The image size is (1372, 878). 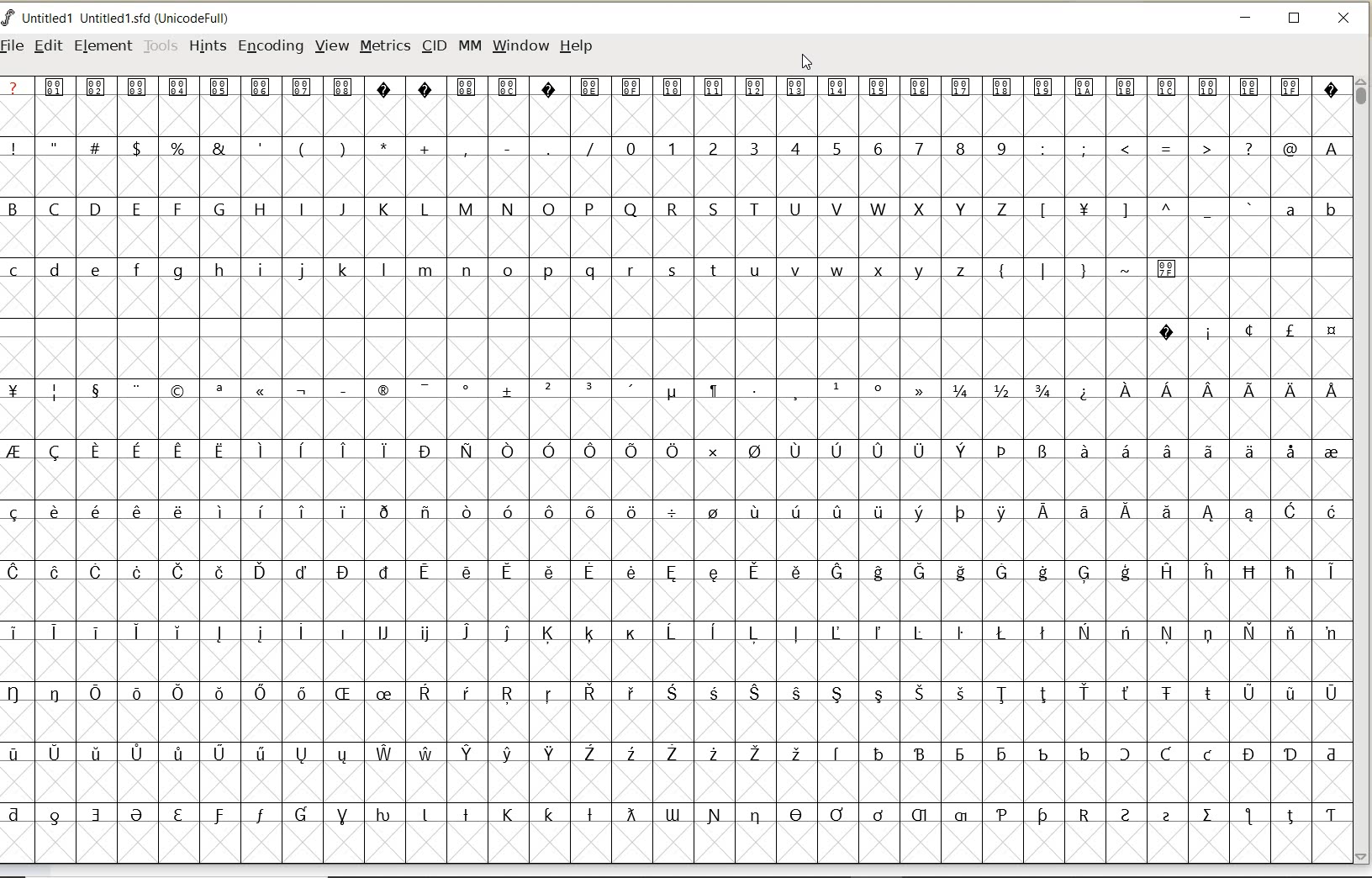 I want to click on METRICS, so click(x=384, y=47).